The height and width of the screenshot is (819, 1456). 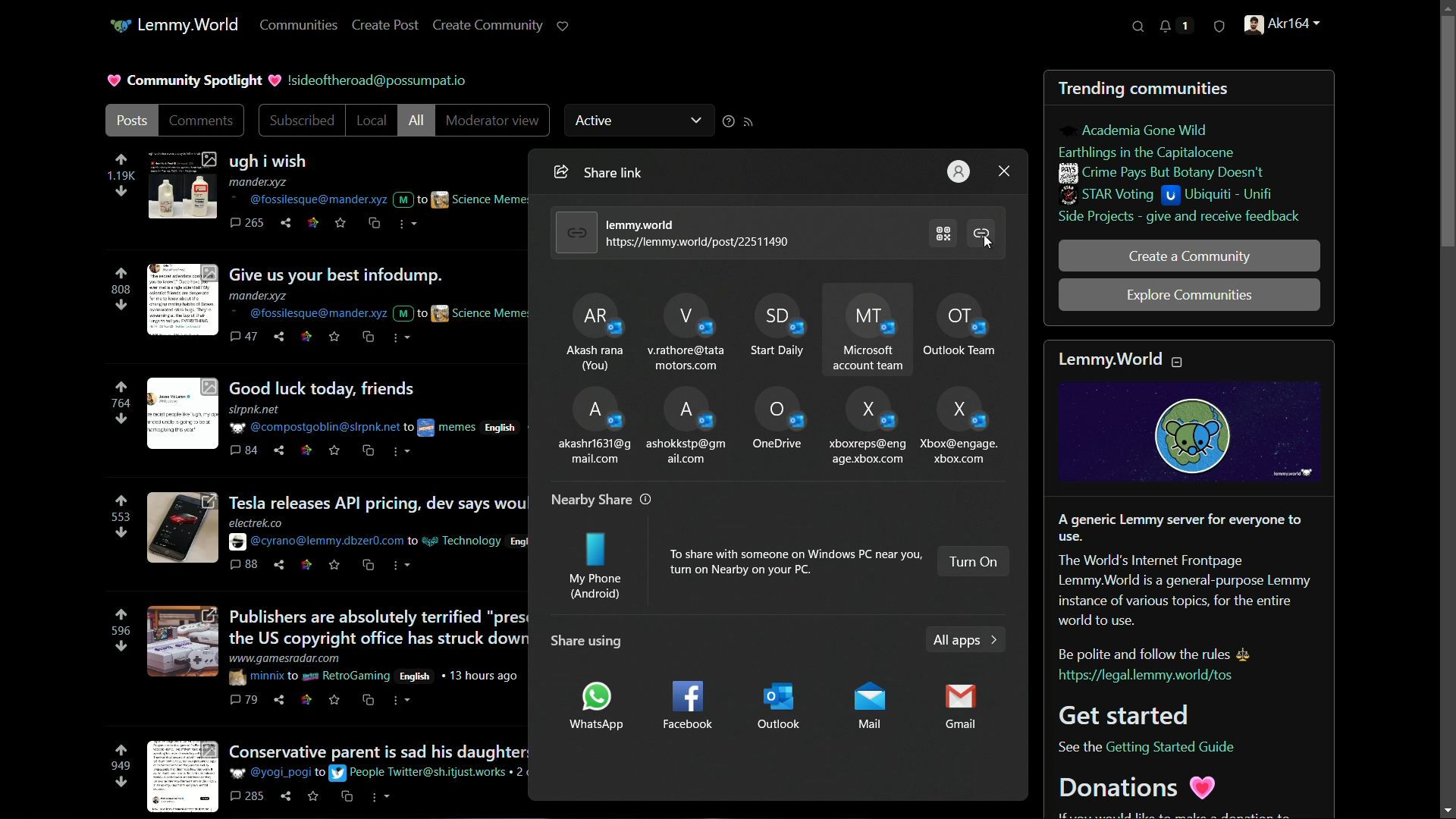 I want to click on v.rathore@tatamotors.com, so click(x=686, y=329).